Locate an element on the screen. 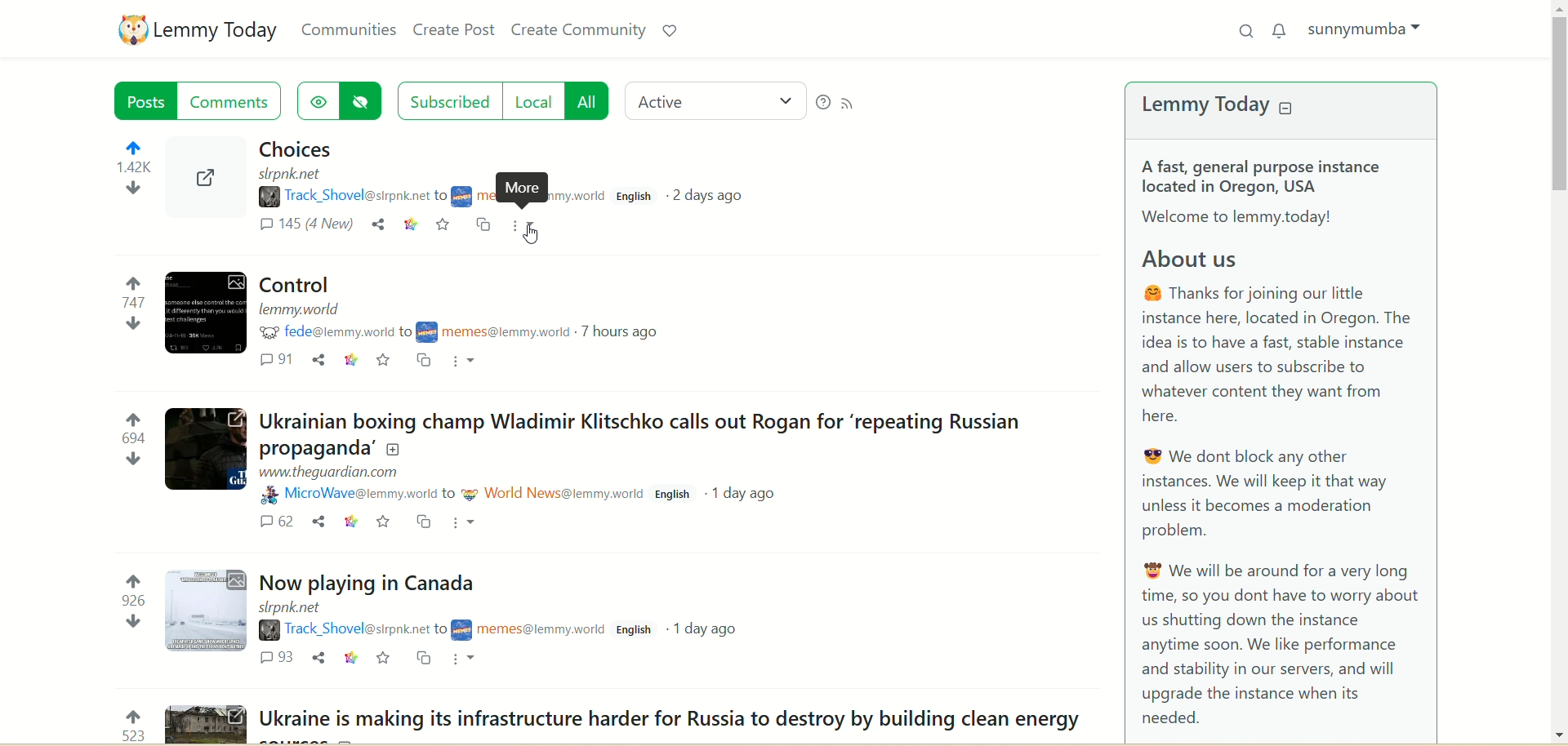 The height and width of the screenshot is (746, 1568). comments is located at coordinates (237, 102).